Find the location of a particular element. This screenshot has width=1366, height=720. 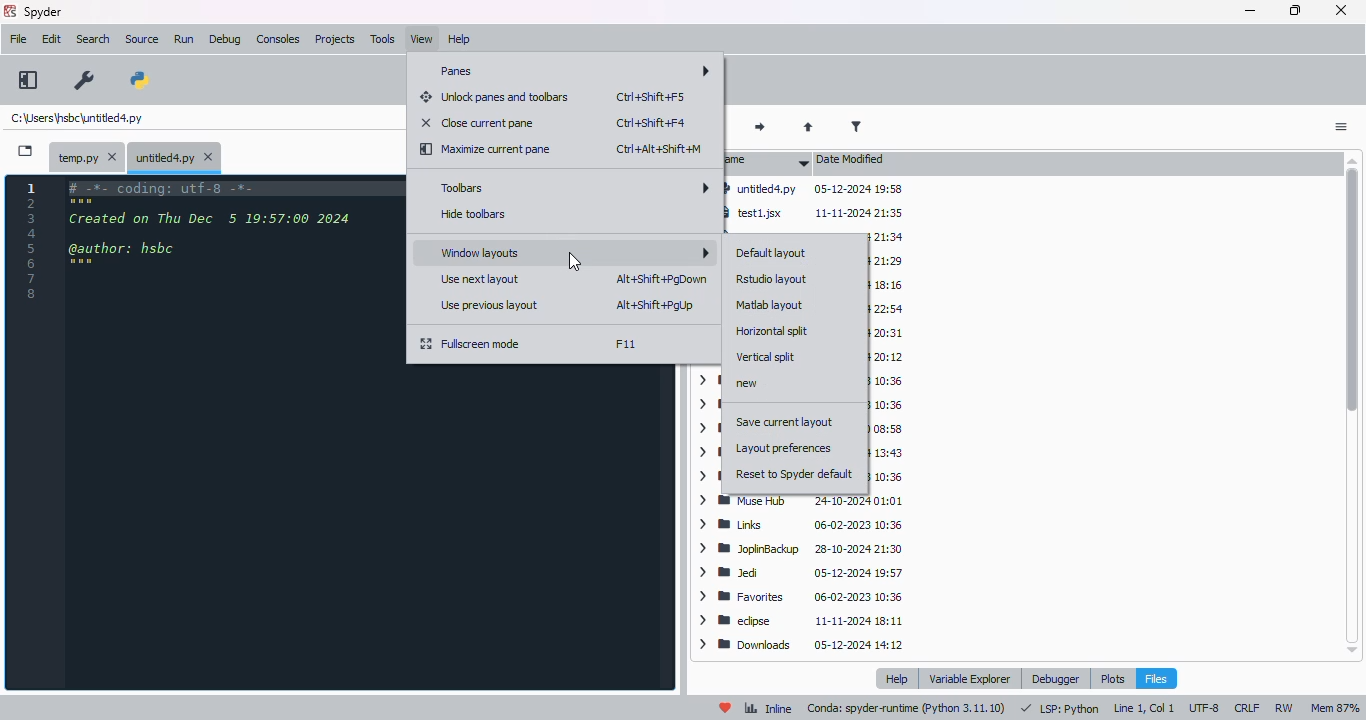

untitled4.py is located at coordinates (76, 117).